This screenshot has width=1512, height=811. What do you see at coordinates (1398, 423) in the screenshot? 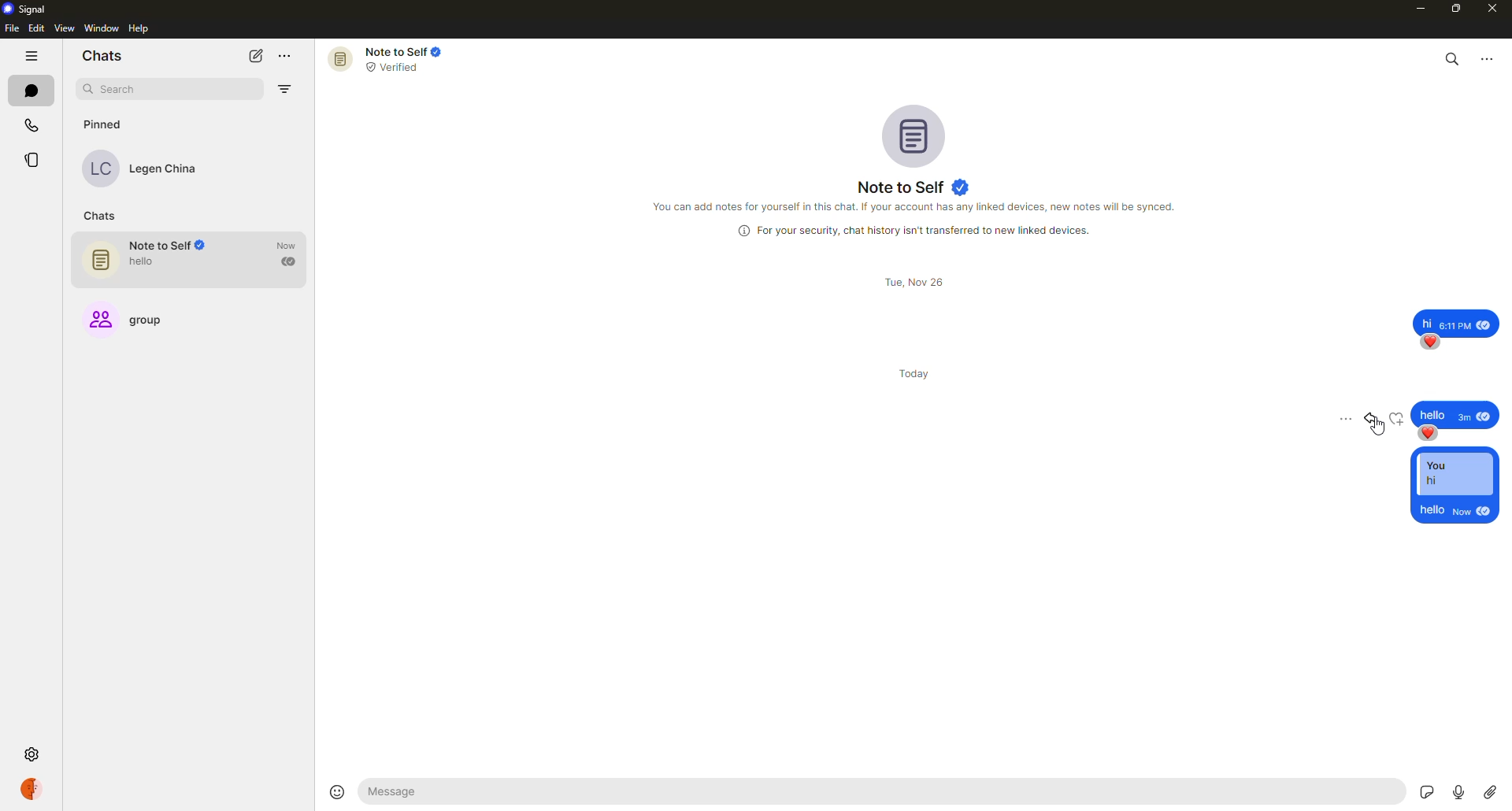
I see `reaction` at bounding box center [1398, 423].